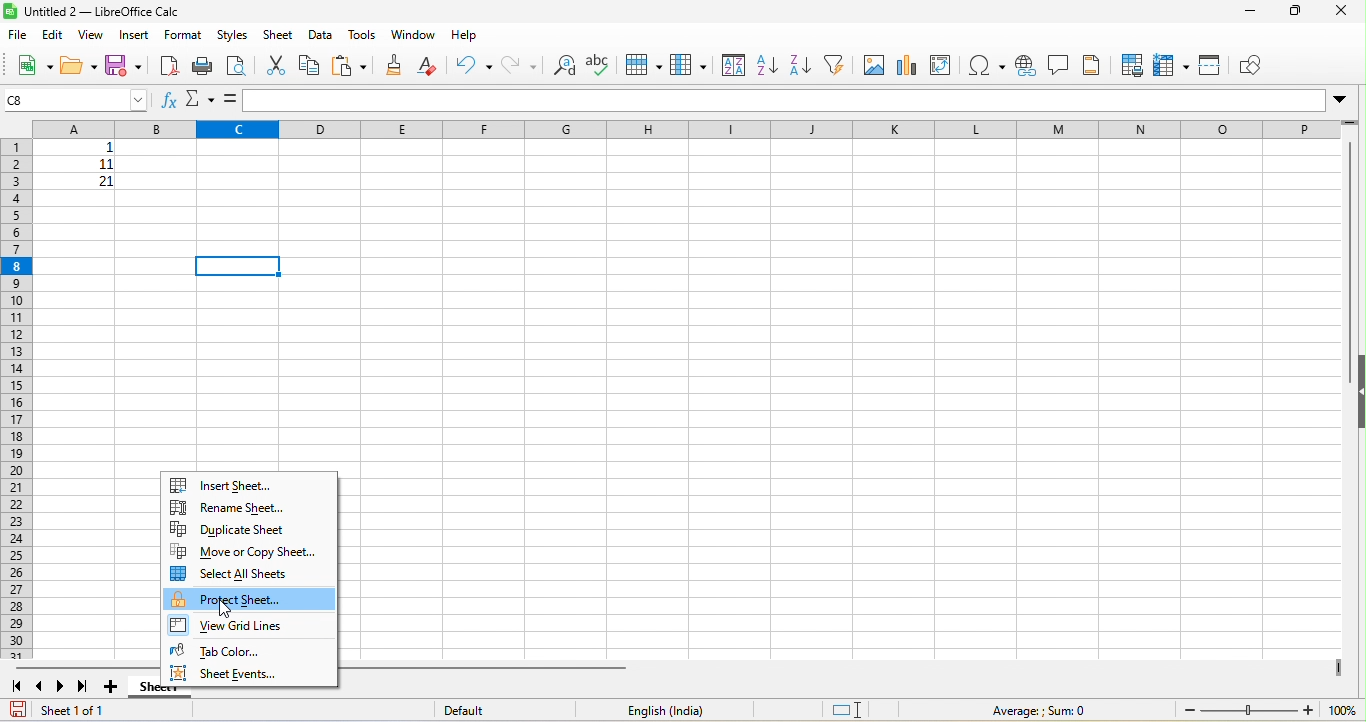  What do you see at coordinates (432, 66) in the screenshot?
I see `clear direct formatting` at bounding box center [432, 66].